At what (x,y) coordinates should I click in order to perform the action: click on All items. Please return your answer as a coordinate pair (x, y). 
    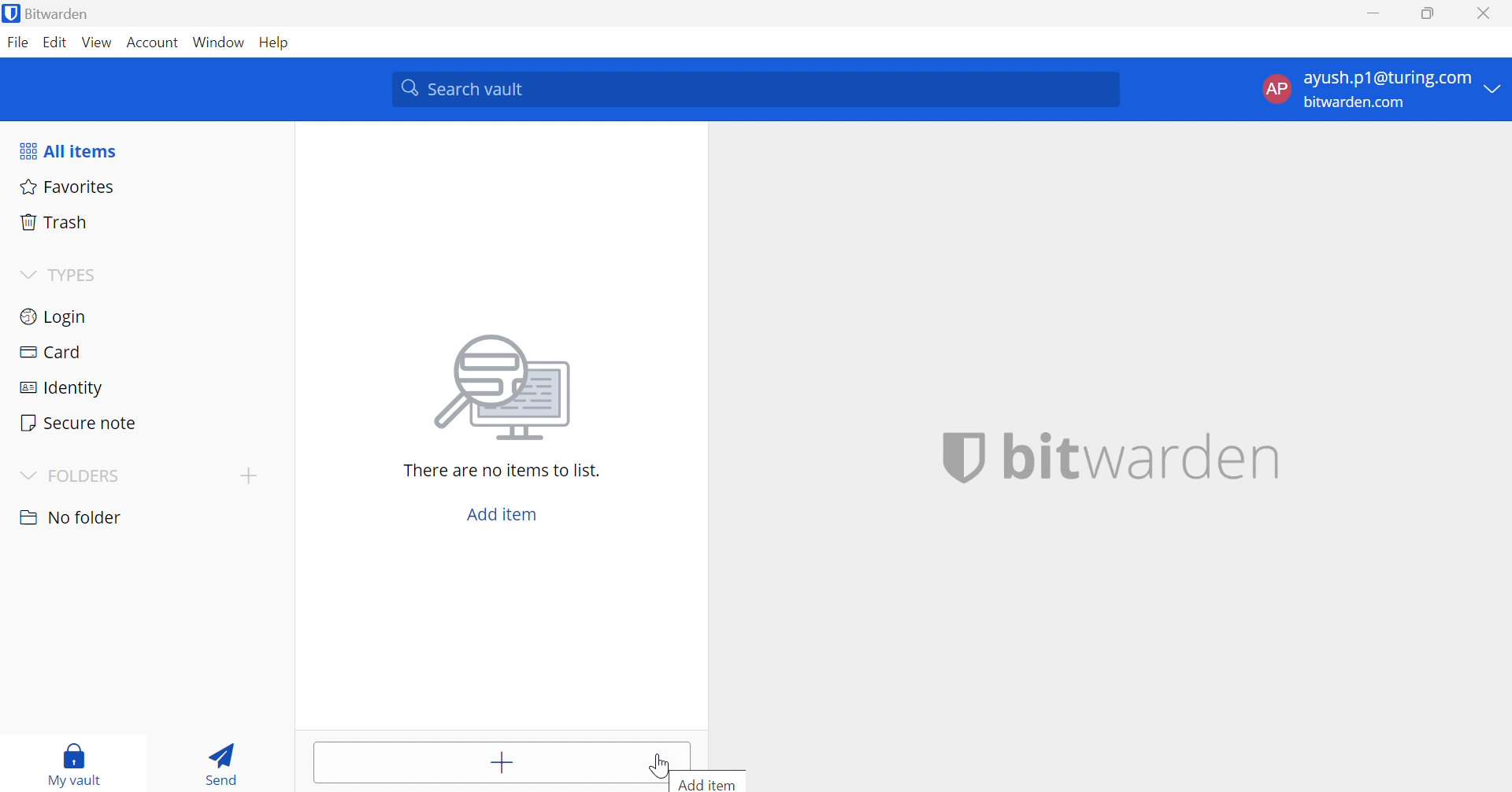
    Looking at the image, I should click on (67, 149).